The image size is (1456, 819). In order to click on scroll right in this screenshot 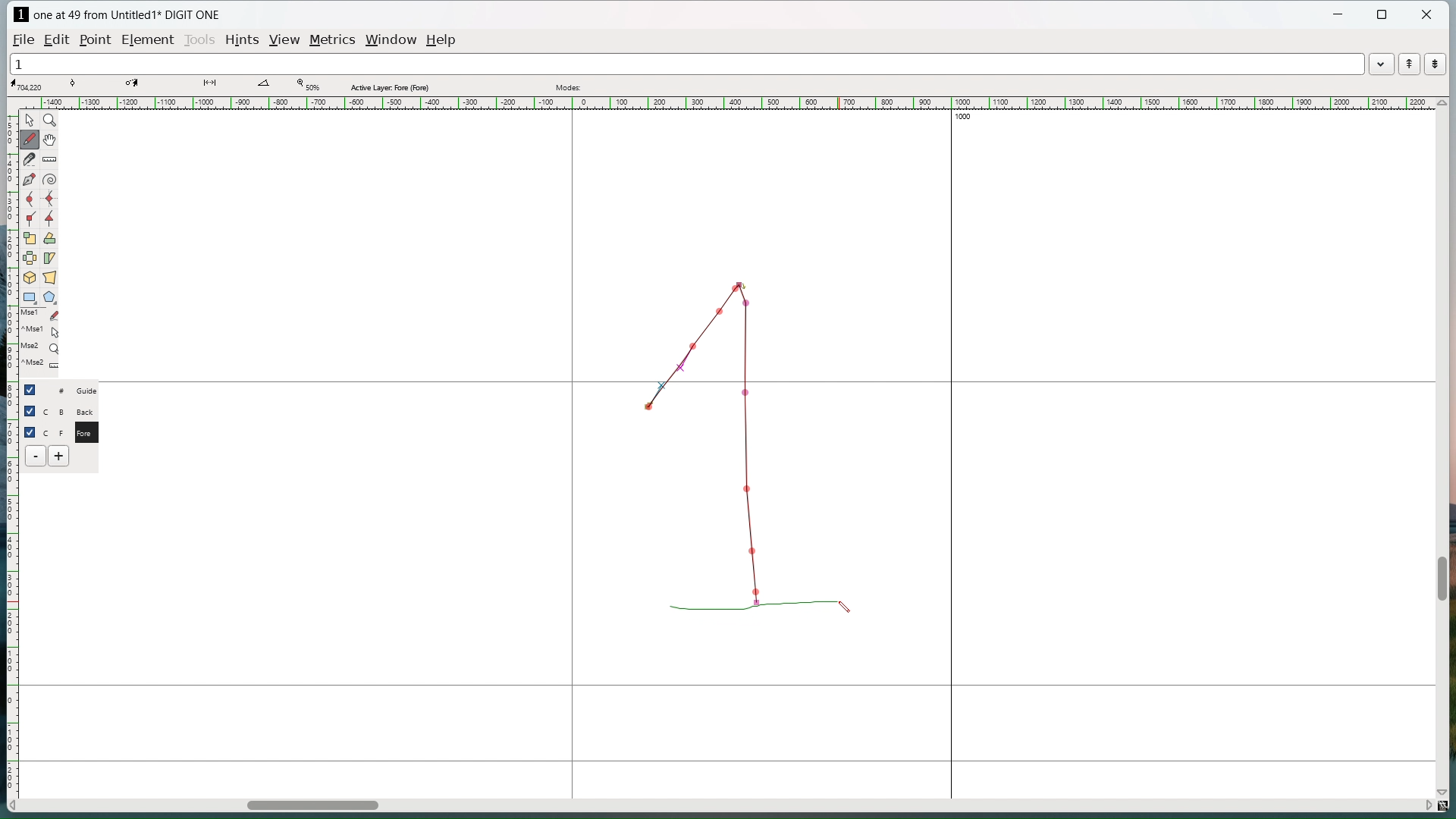, I will do `click(1426, 804)`.